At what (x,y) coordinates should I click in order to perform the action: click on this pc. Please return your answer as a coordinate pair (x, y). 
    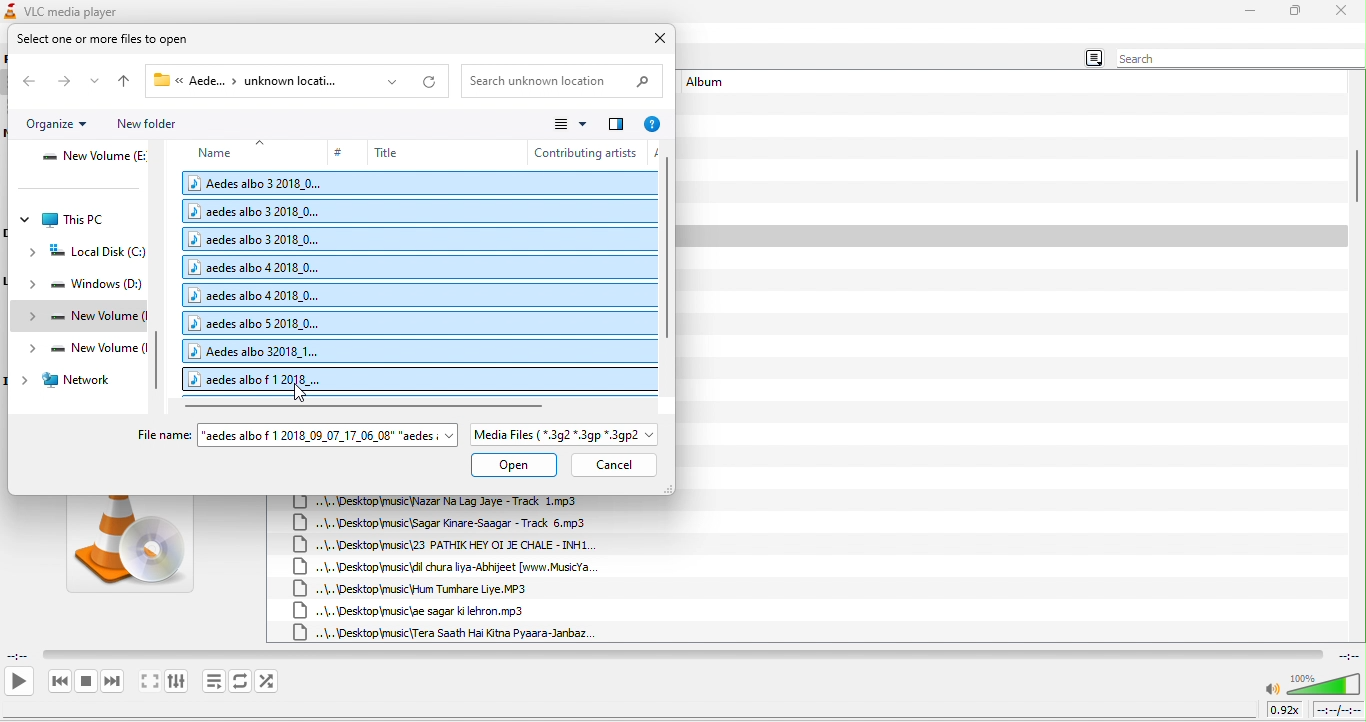
    Looking at the image, I should click on (65, 220).